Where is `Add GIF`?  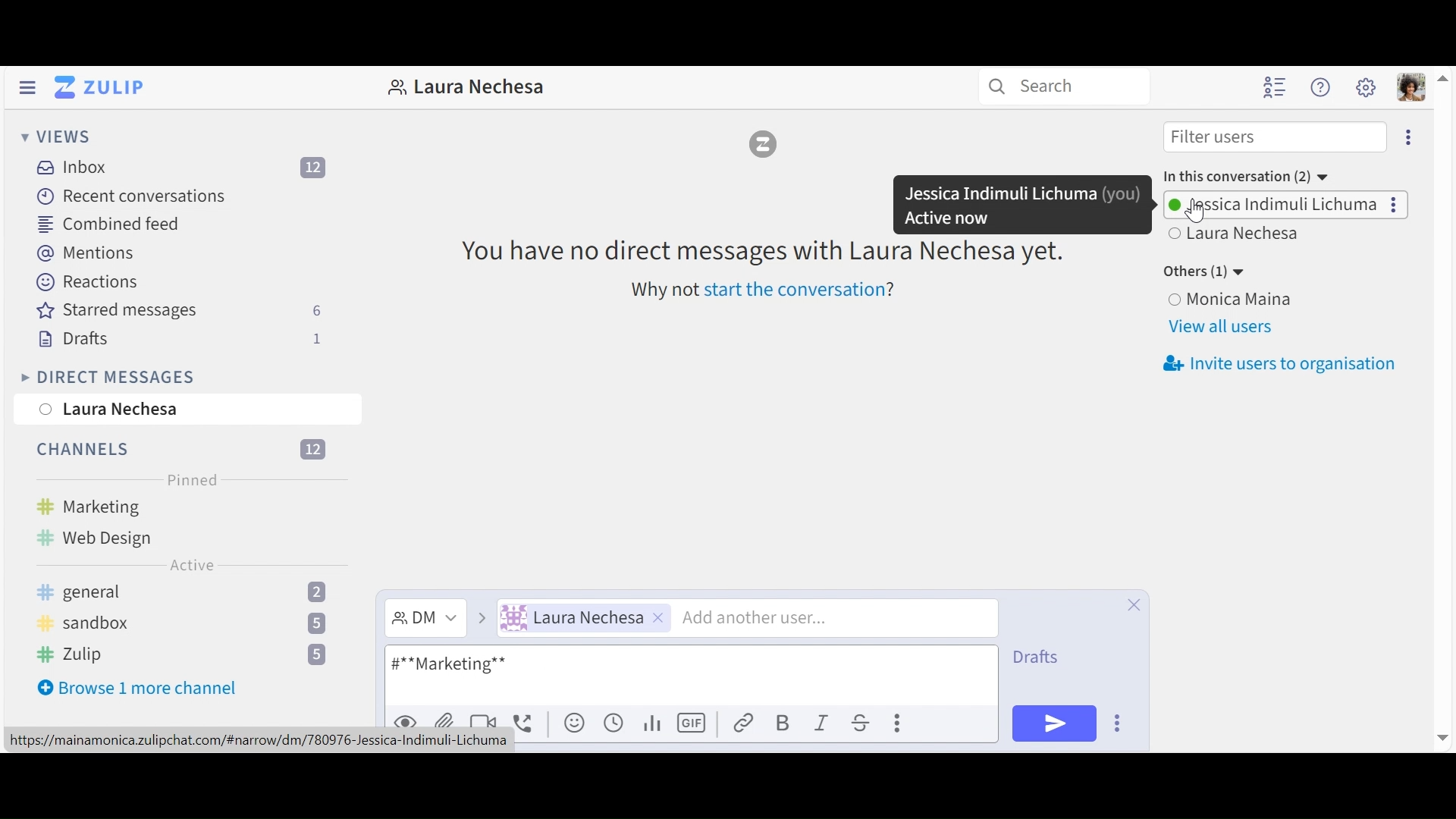
Add GIF is located at coordinates (692, 722).